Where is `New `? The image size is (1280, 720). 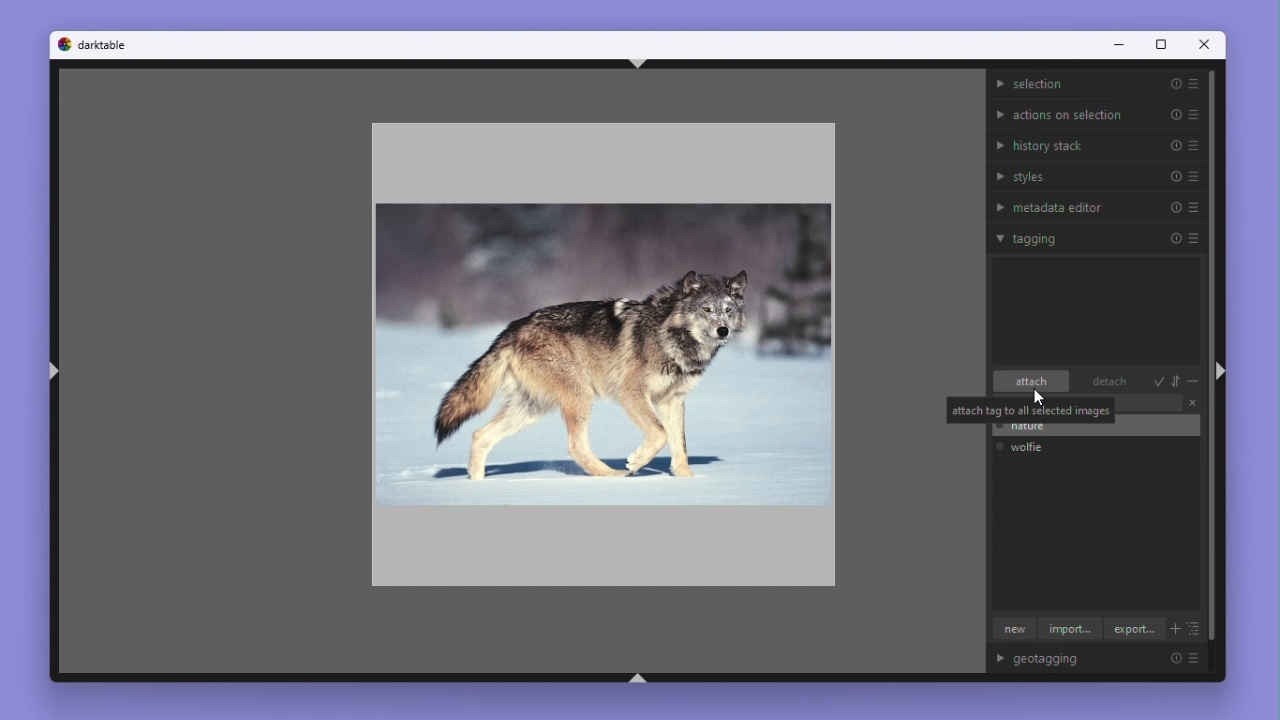
New  is located at coordinates (1011, 630).